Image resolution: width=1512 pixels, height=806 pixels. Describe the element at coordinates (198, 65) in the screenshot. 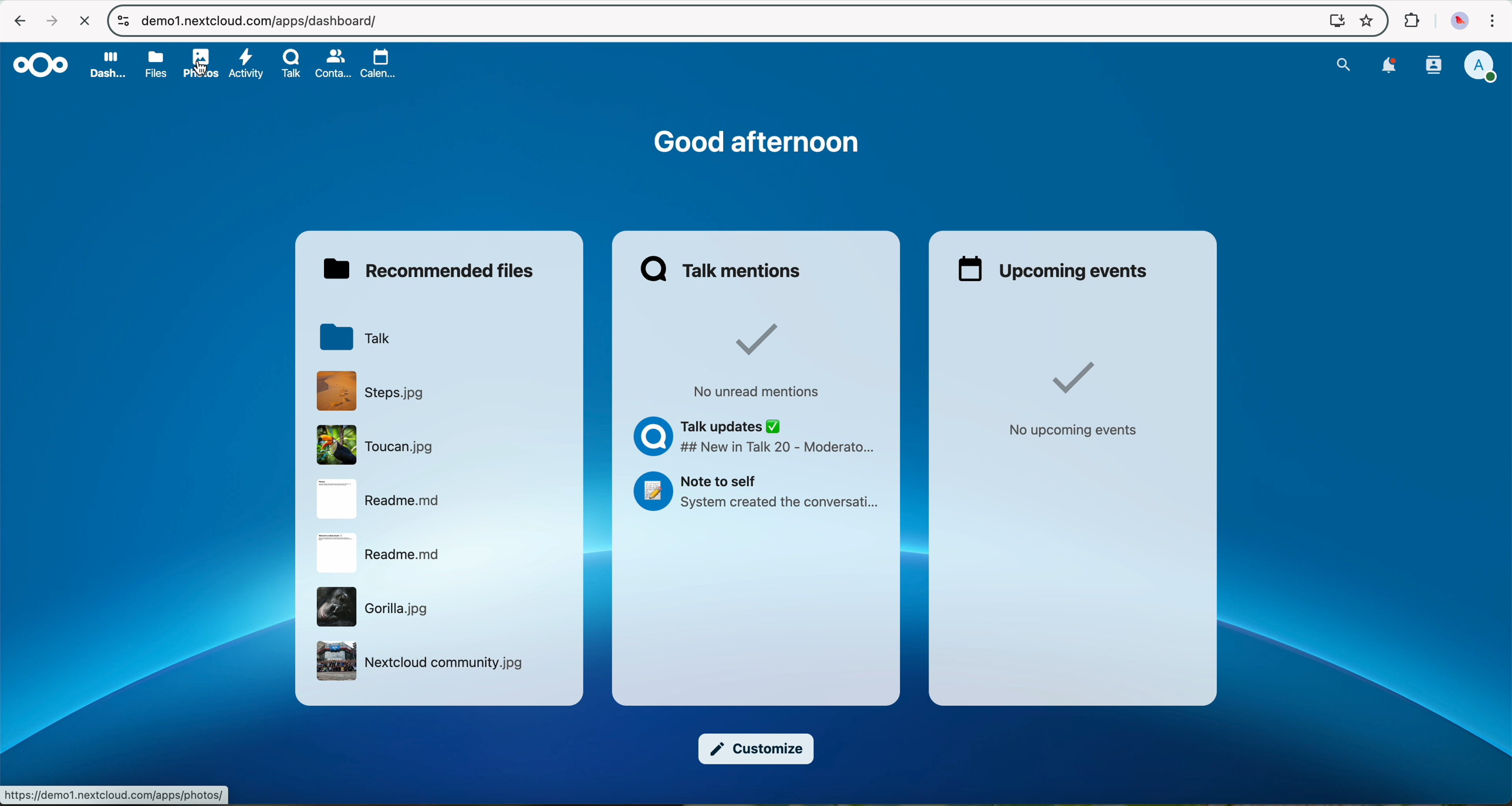

I see `photos` at that location.